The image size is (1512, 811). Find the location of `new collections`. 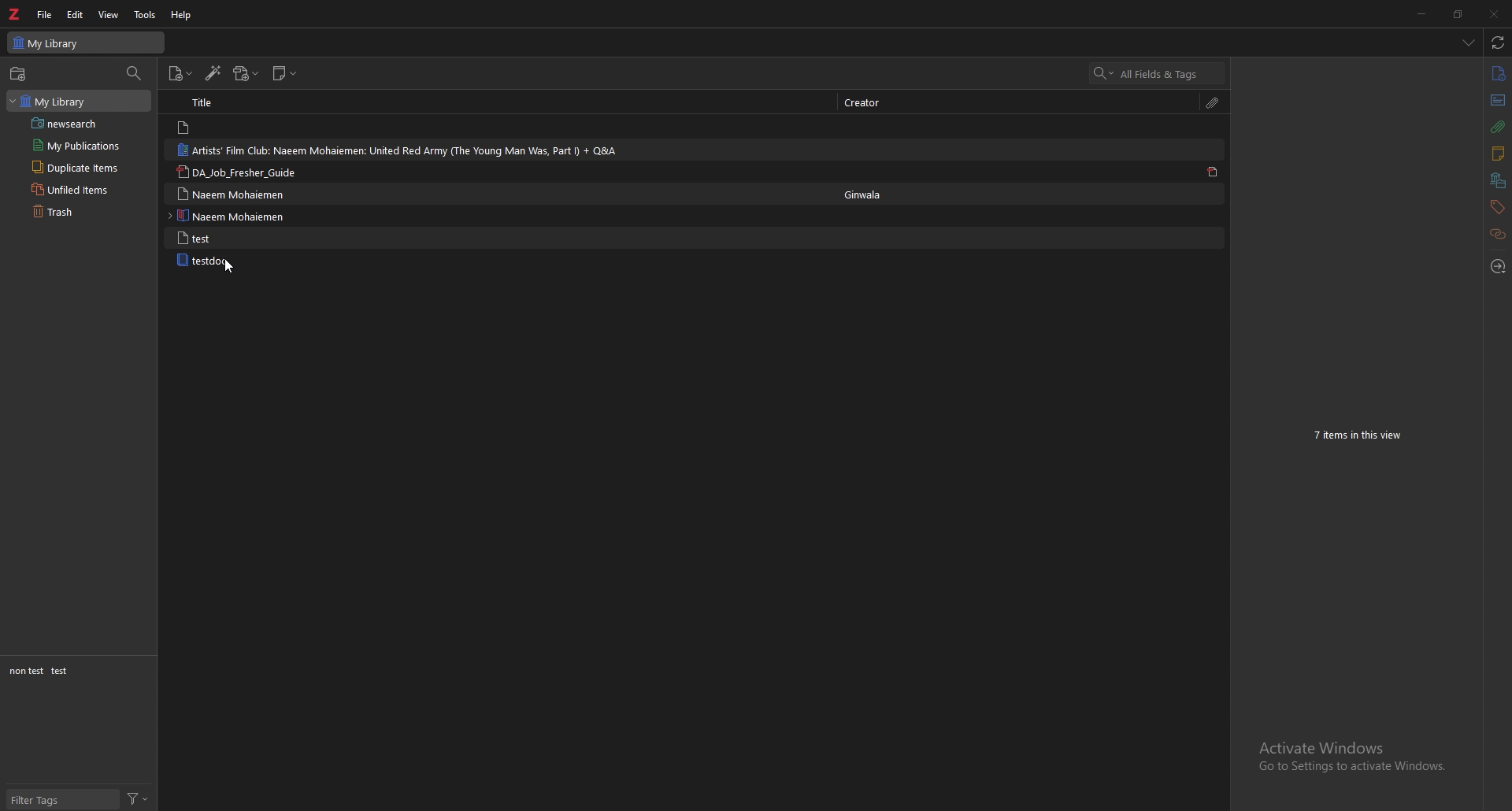

new collections is located at coordinates (20, 73).